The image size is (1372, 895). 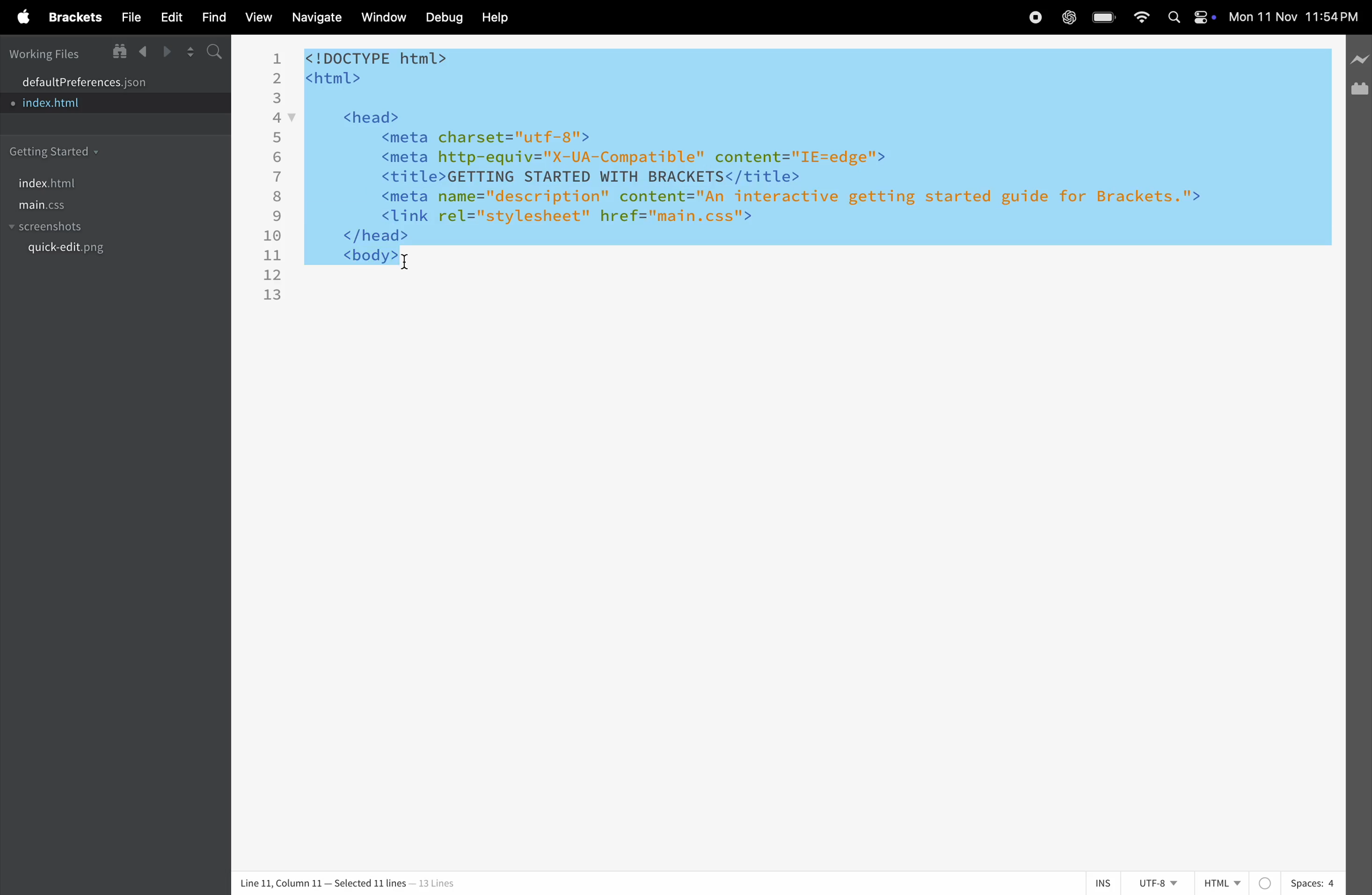 What do you see at coordinates (1312, 883) in the screenshot?
I see `spaces` at bounding box center [1312, 883].